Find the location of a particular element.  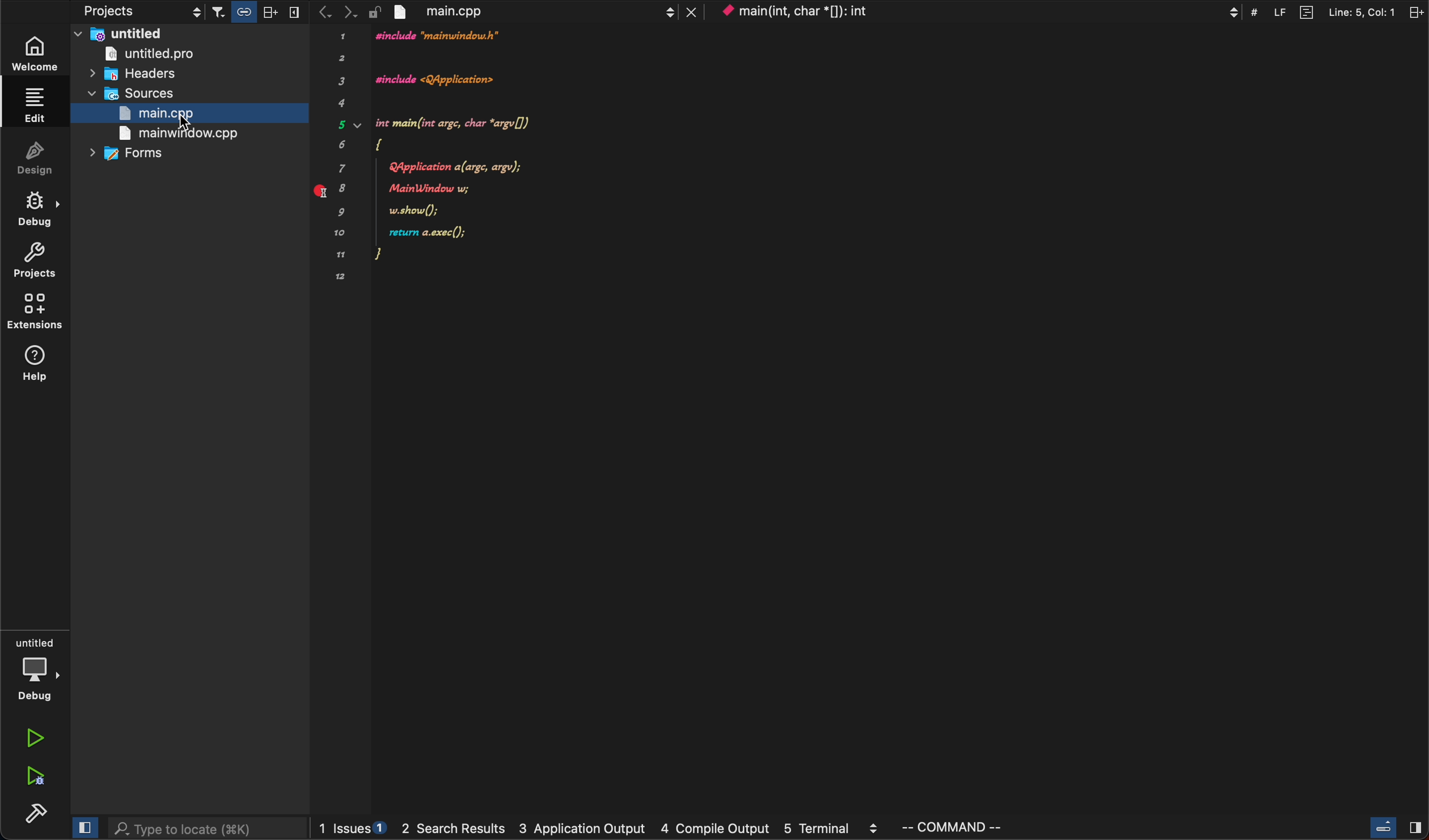

context is located at coordinates (979, 12).